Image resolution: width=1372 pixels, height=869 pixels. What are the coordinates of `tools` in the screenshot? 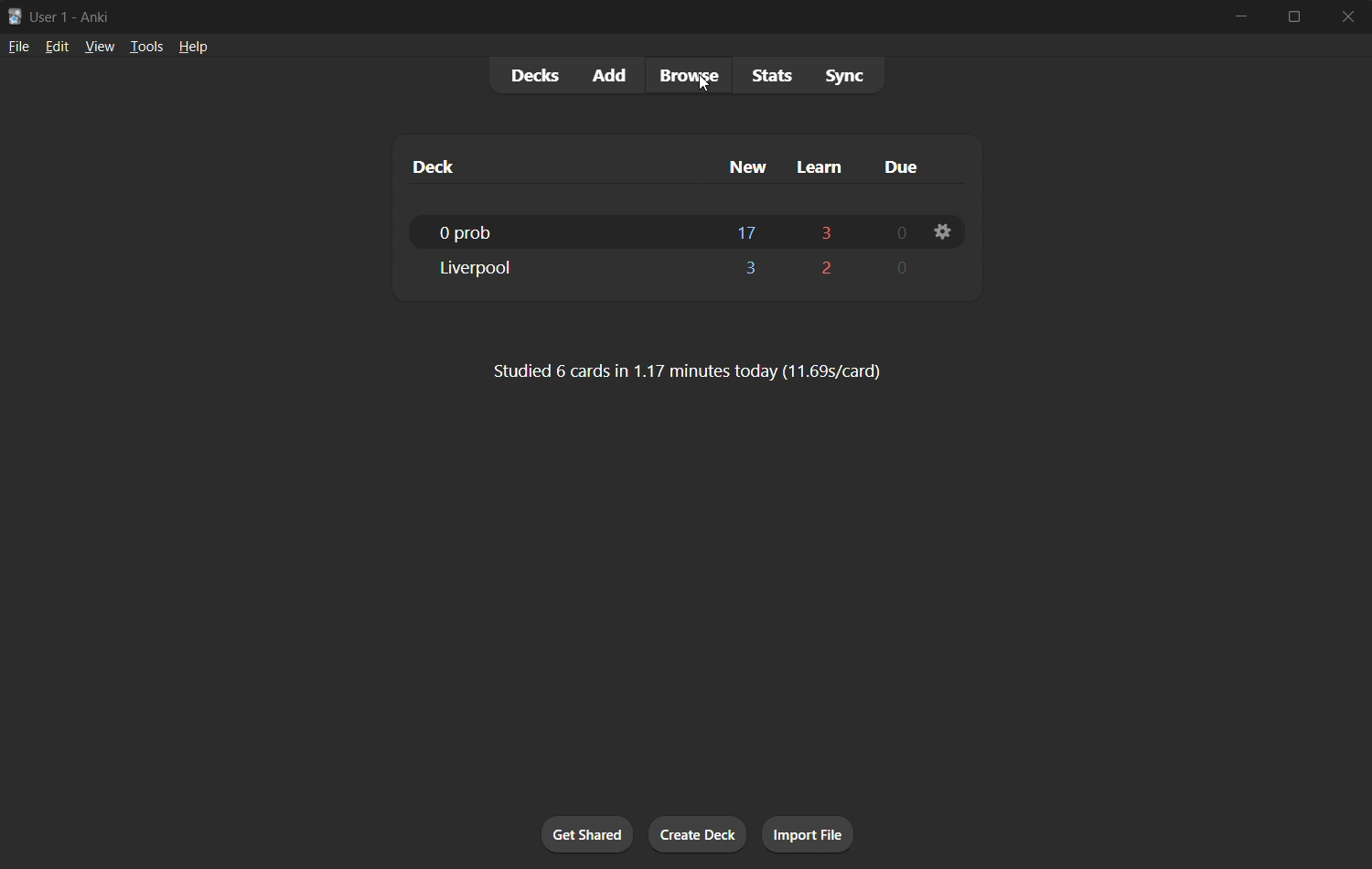 It's located at (145, 46).